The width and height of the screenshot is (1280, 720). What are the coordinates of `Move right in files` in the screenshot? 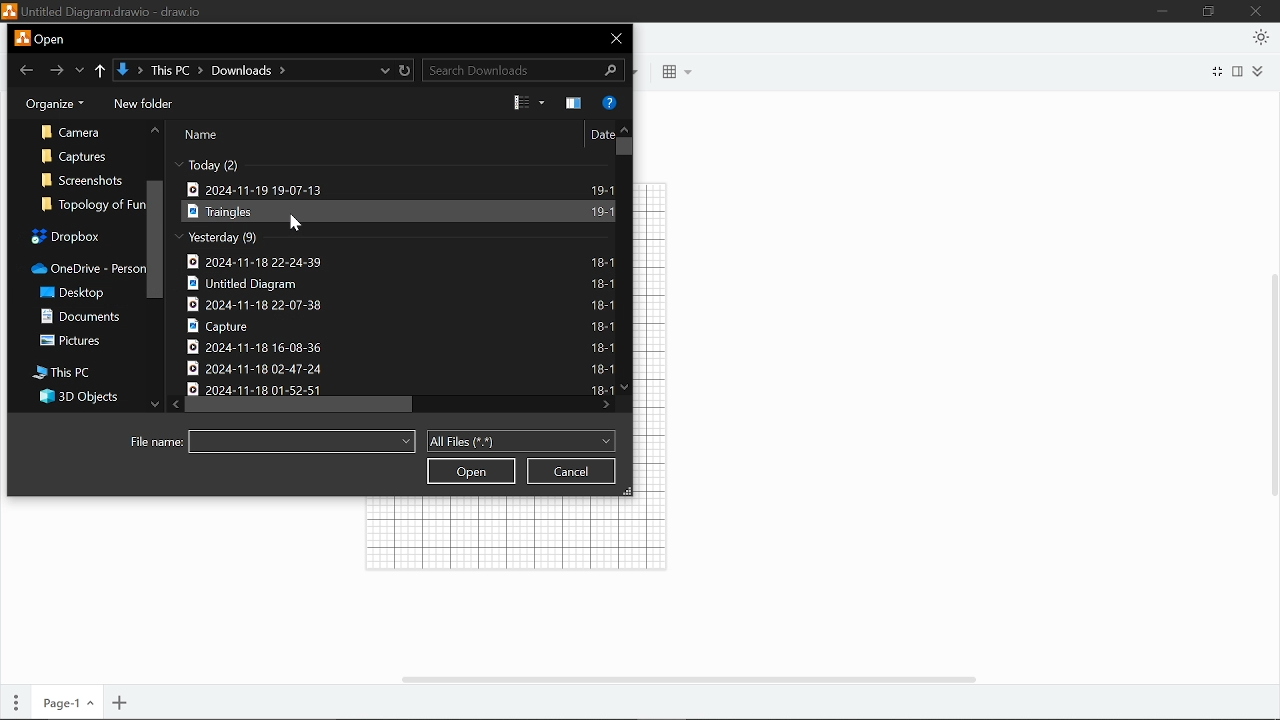 It's located at (606, 405).